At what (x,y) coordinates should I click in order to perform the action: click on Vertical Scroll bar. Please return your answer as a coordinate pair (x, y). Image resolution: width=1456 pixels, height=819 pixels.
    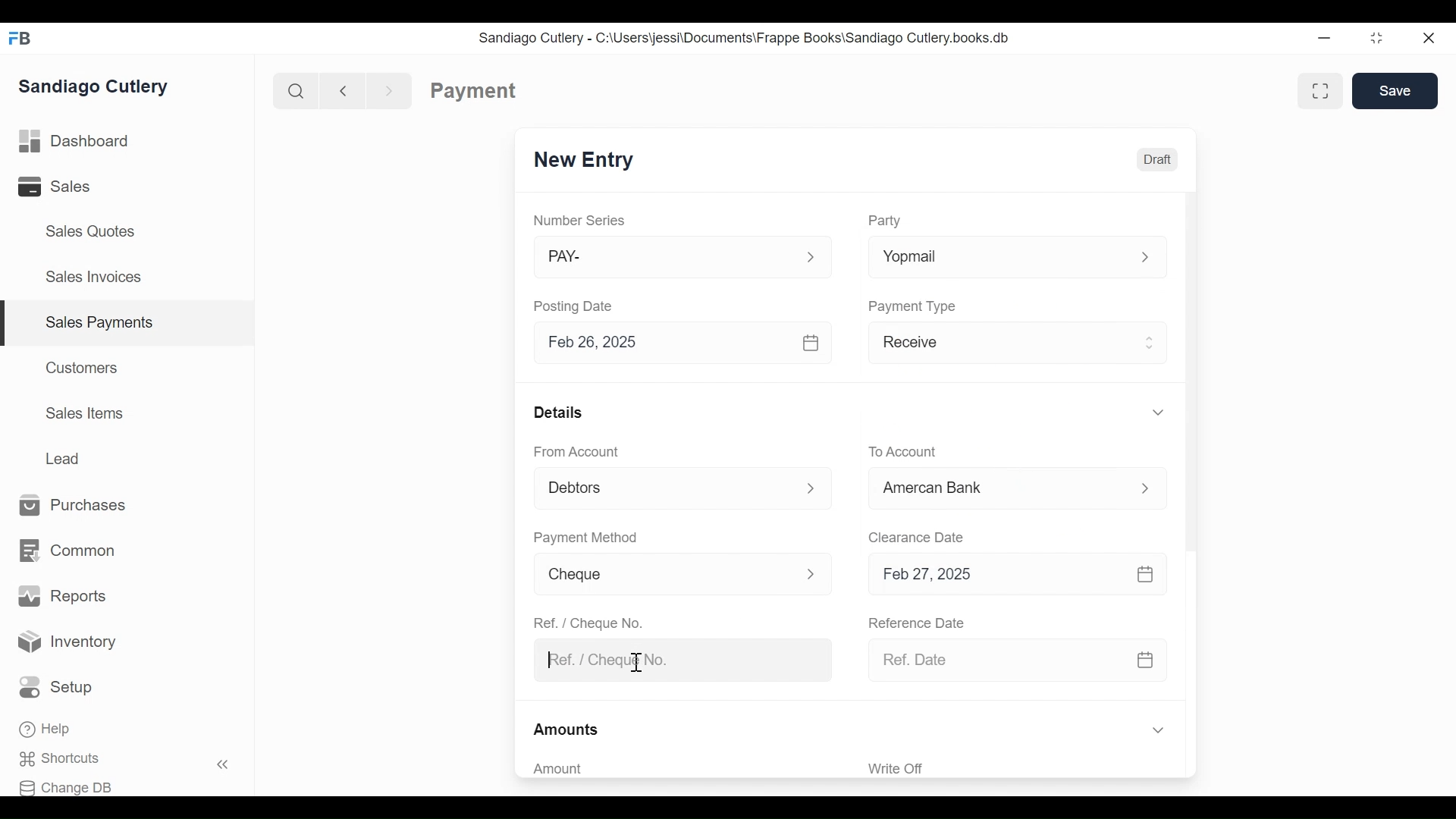
    Looking at the image, I should click on (1189, 374).